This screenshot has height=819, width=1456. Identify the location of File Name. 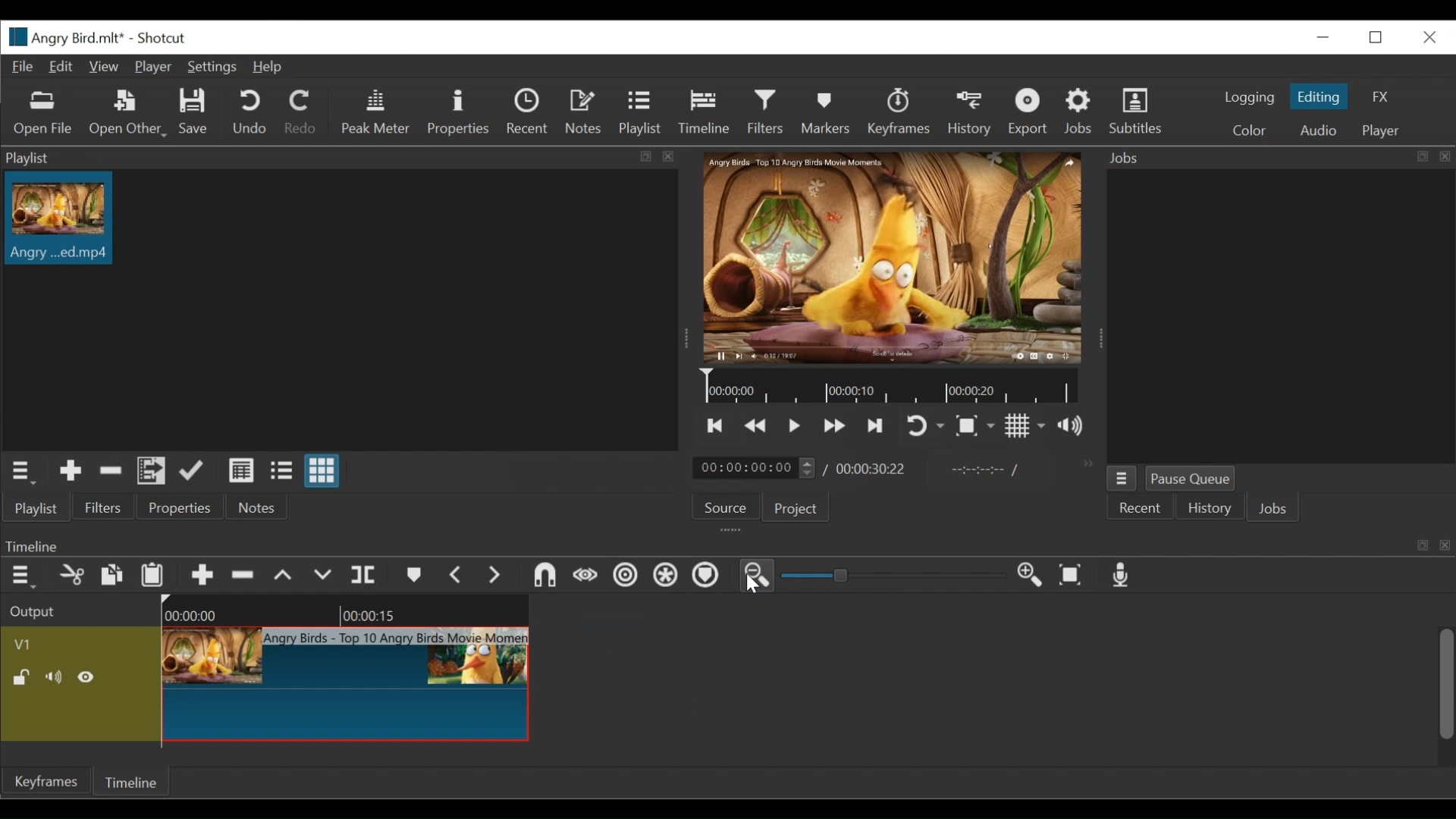
(63, 37).